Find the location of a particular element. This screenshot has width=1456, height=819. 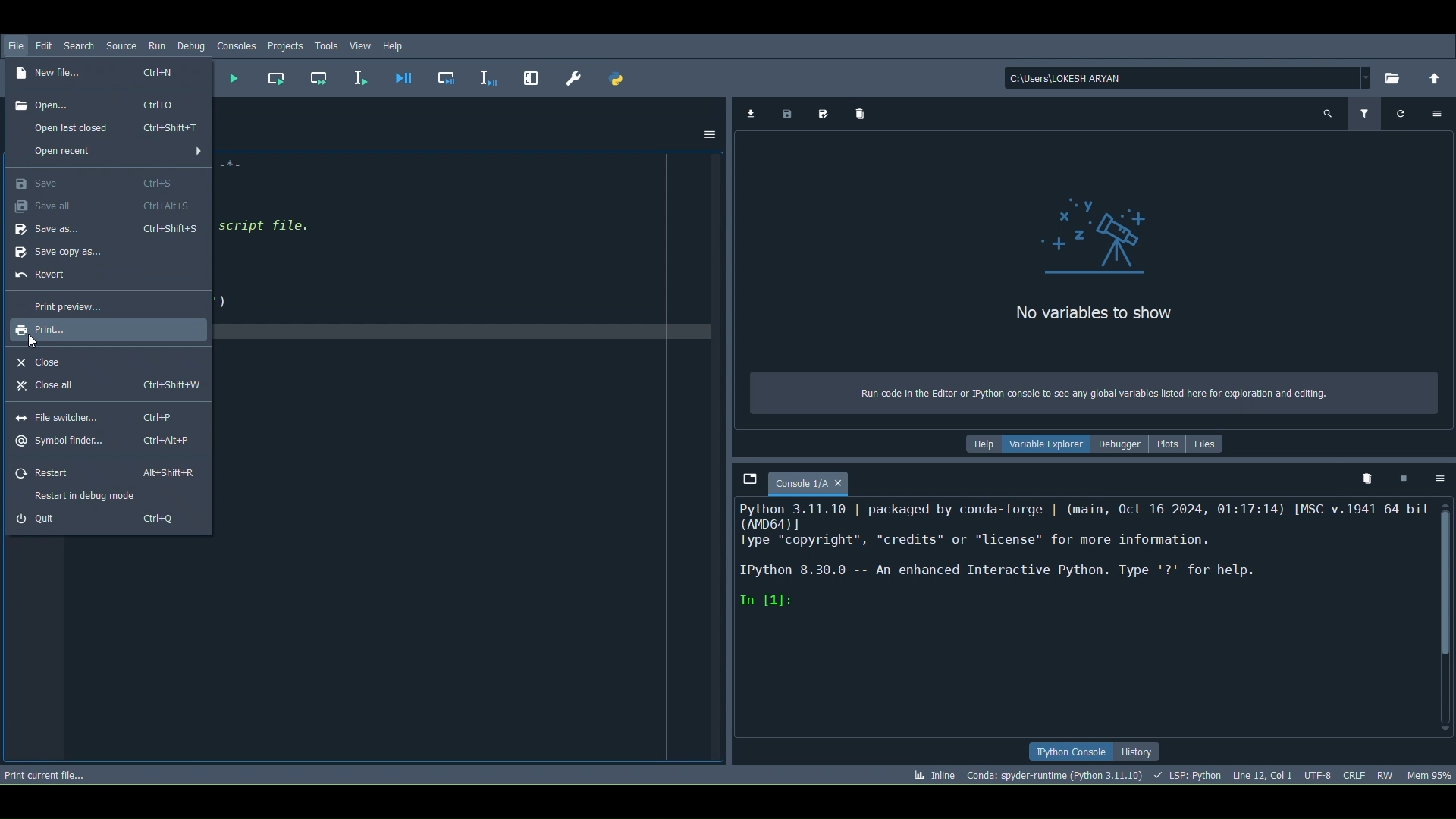

Options is located at coordinates (708, 133).